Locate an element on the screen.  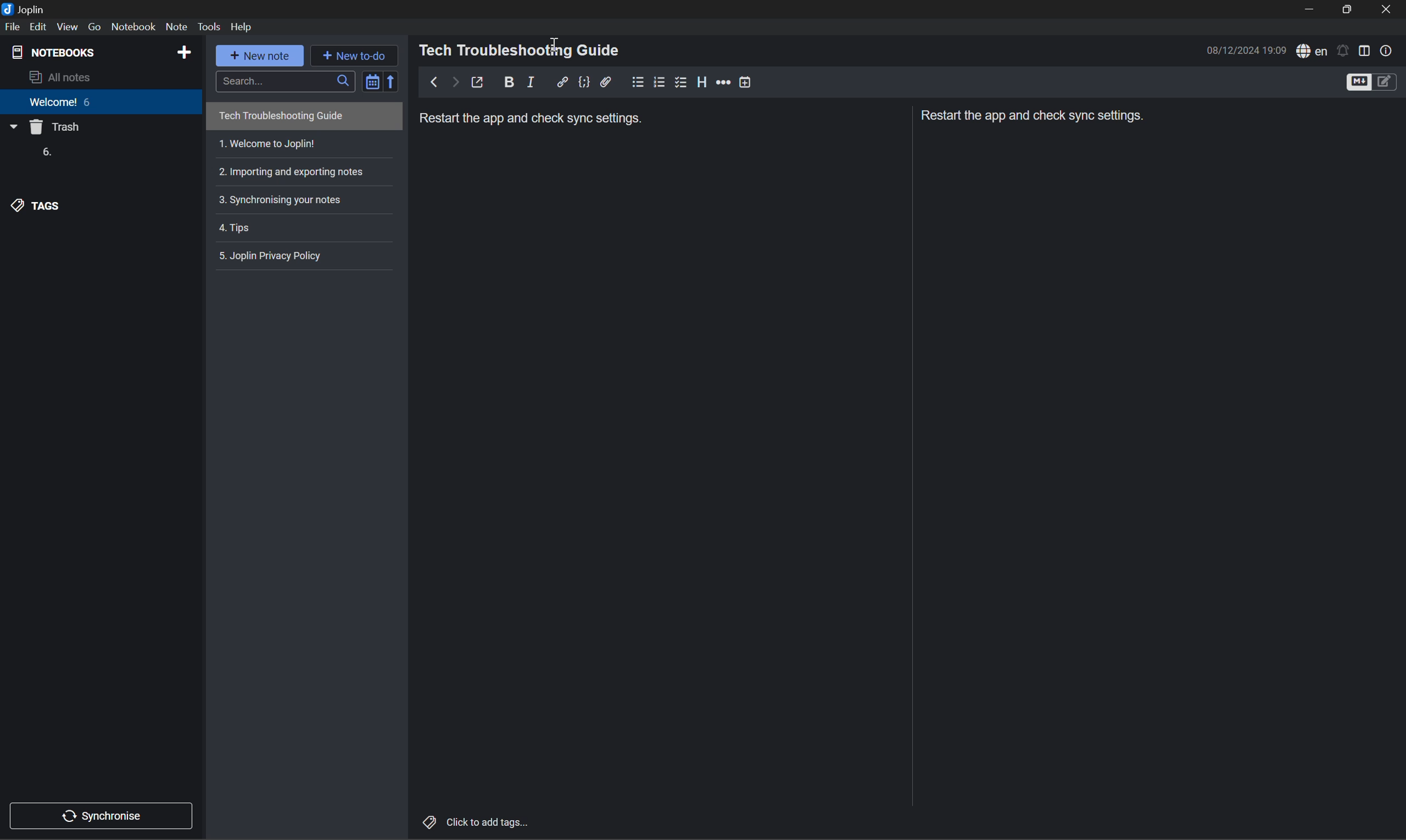
Toggle external editing is located at coordinates (480, 83).